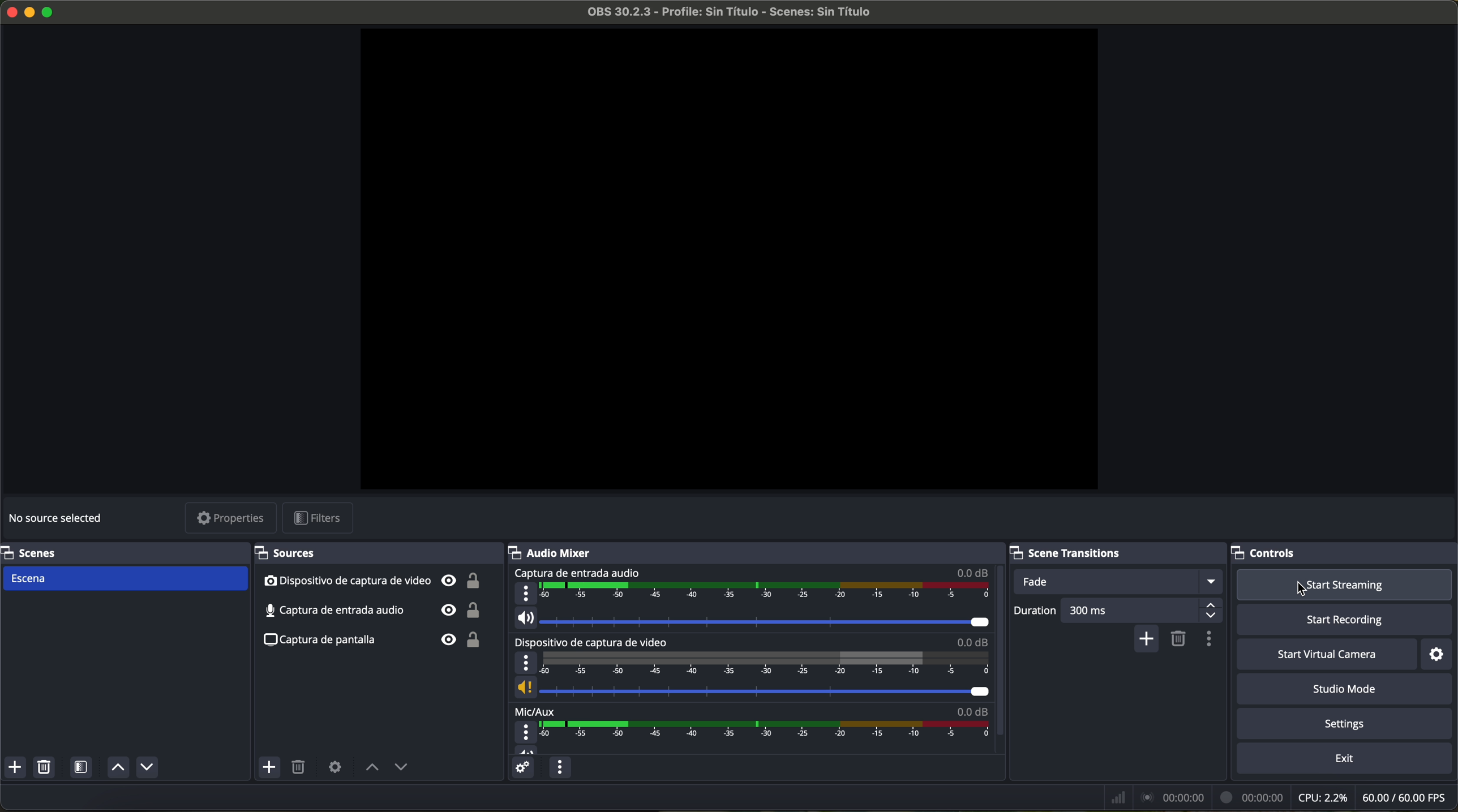 Image resolution: width=1458 pixels, height=812 pixels. What do you see at coordinates (1302, 590) in the screenshot?
I see `cursor` at bounding box center [1302, 590].